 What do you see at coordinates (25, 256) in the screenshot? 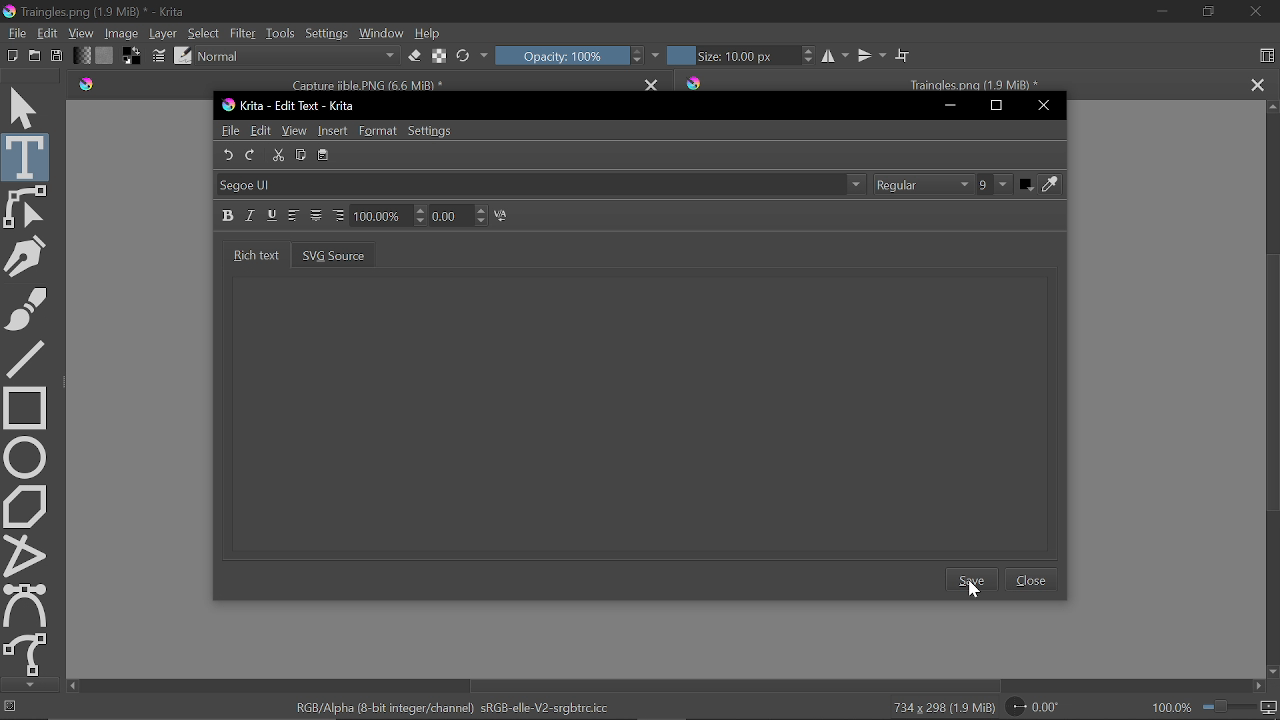
I see `Calligraphy` at bounding box center [25, 256].